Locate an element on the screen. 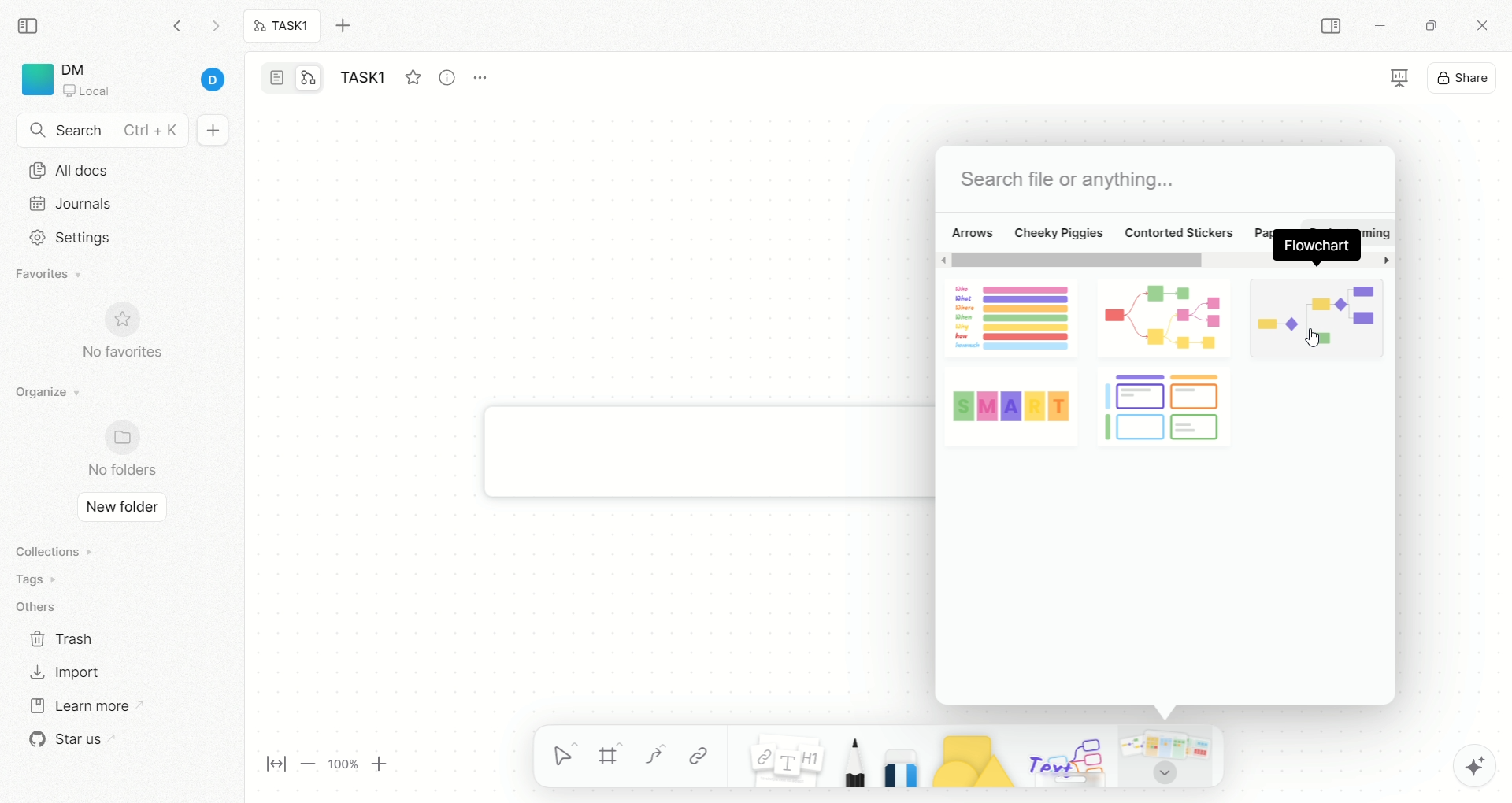  favorites is located at coordinates (412, 75).